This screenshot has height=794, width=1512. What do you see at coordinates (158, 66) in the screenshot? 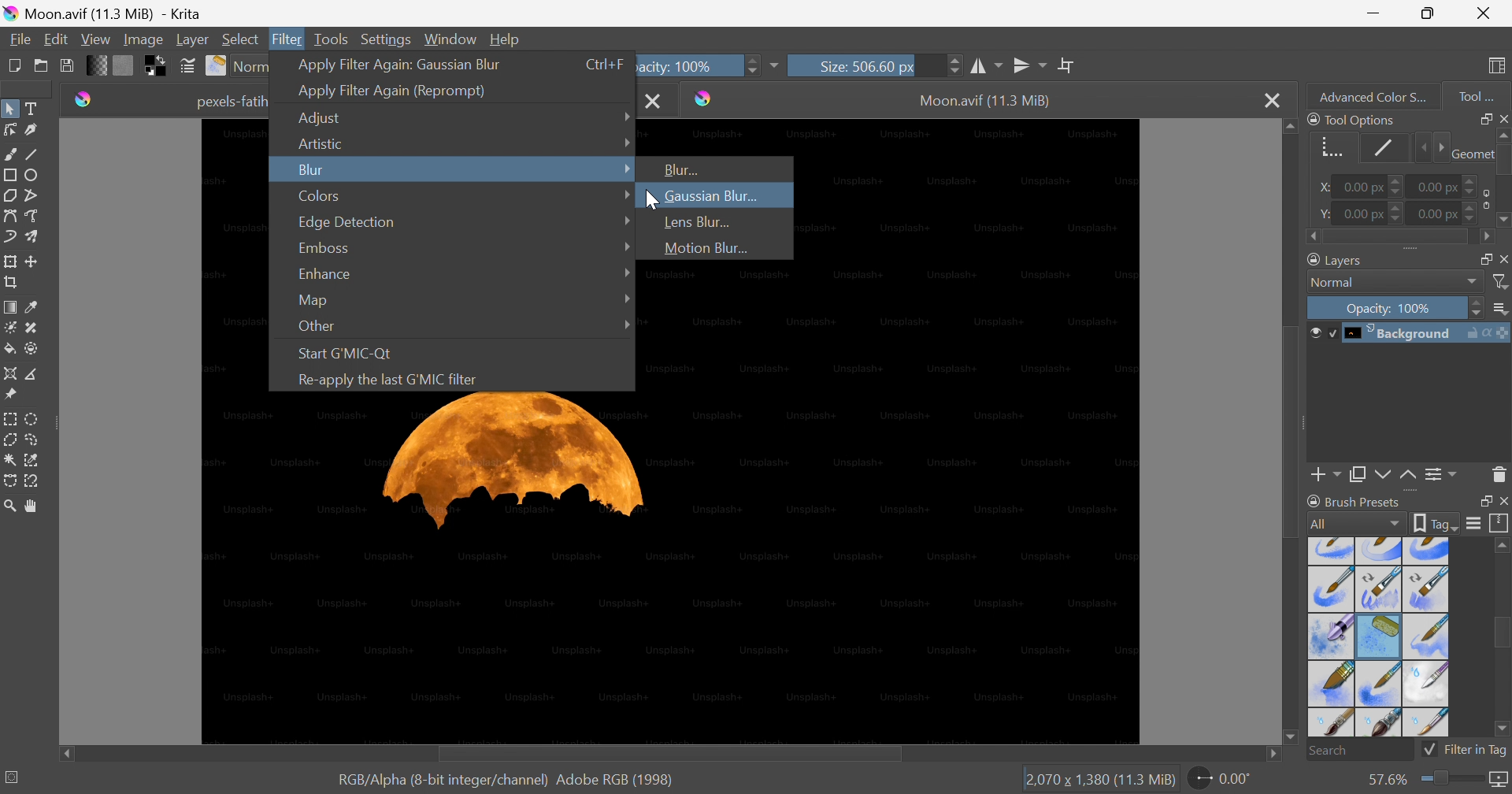
I see `Swap foreground and background colors` at bounding box center [158, 66].